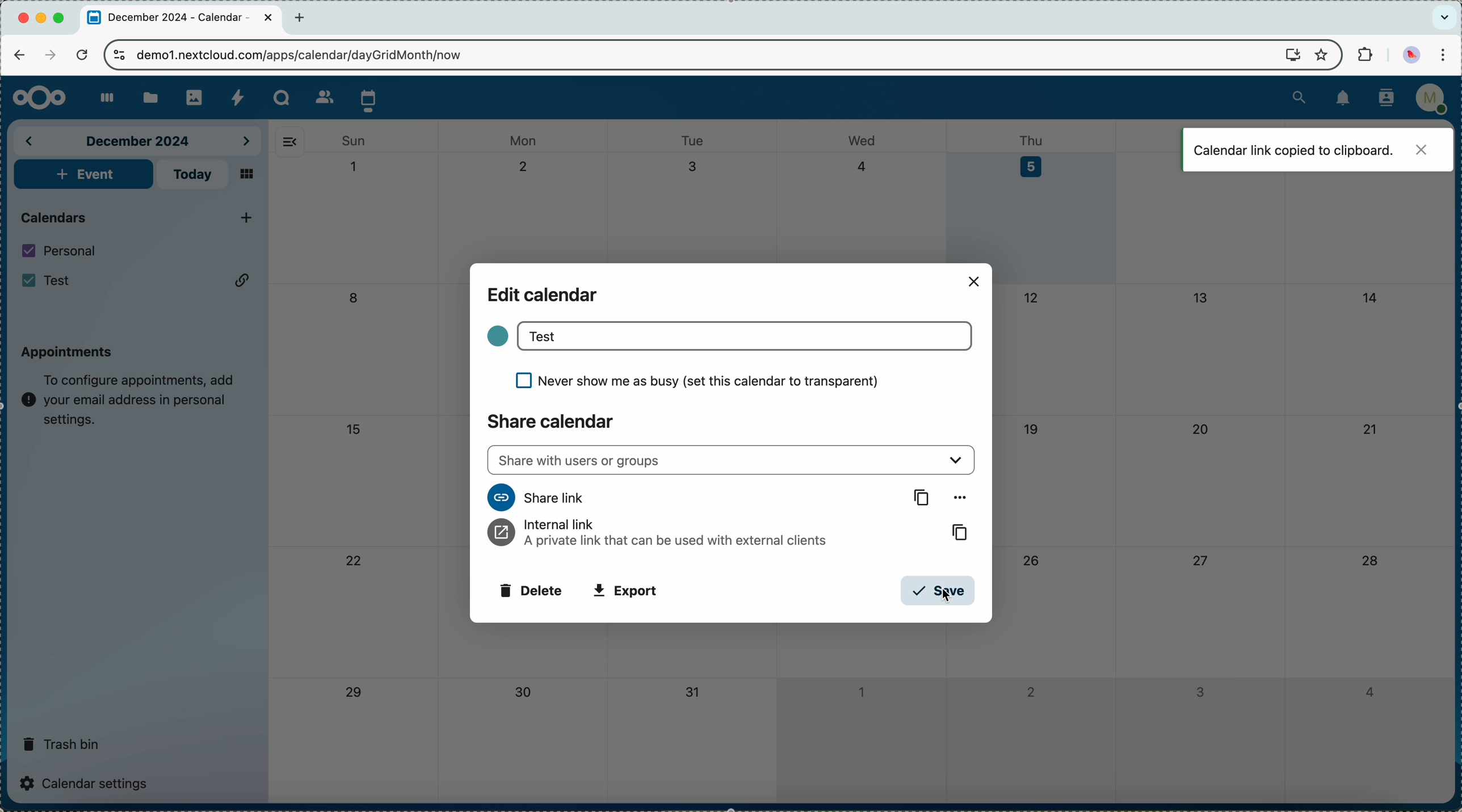 This screenshot has height=812, width=1462. Describe the element at coordinates (938, 591) in the screenshot. I see `click on save button` at that location.